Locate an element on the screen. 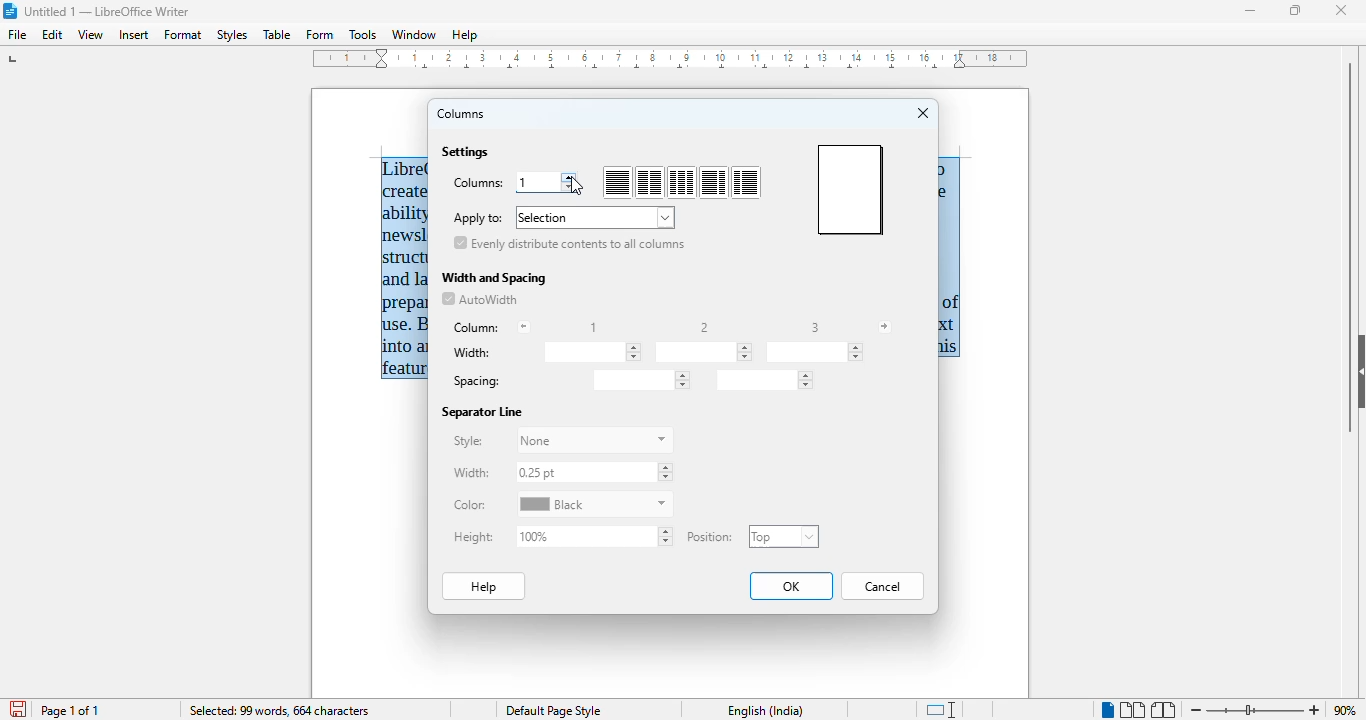  90% (current zoom level) is located at coordinates (1349, 708).